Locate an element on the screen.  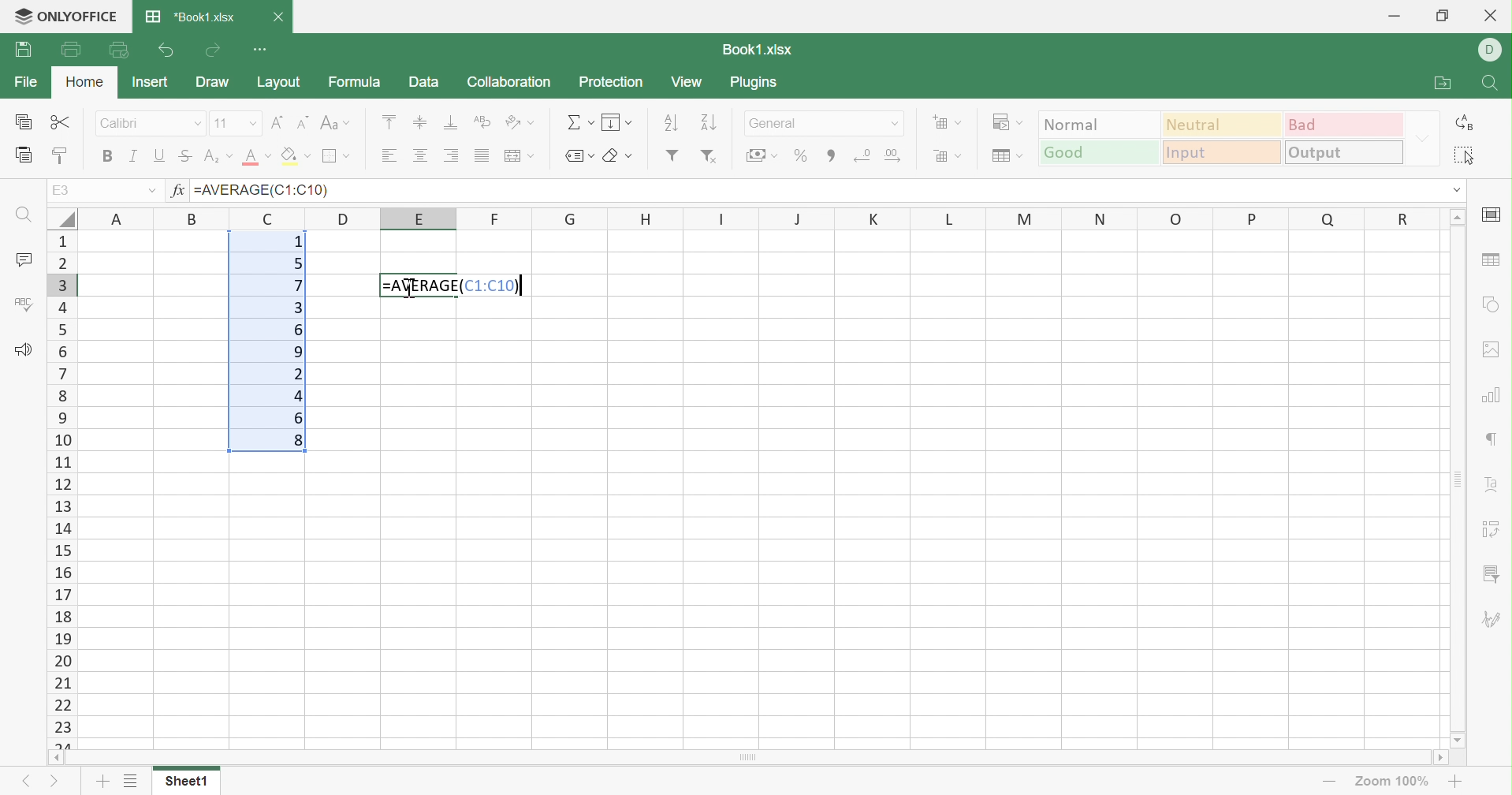
Justified is located at coordinates (481, 155).